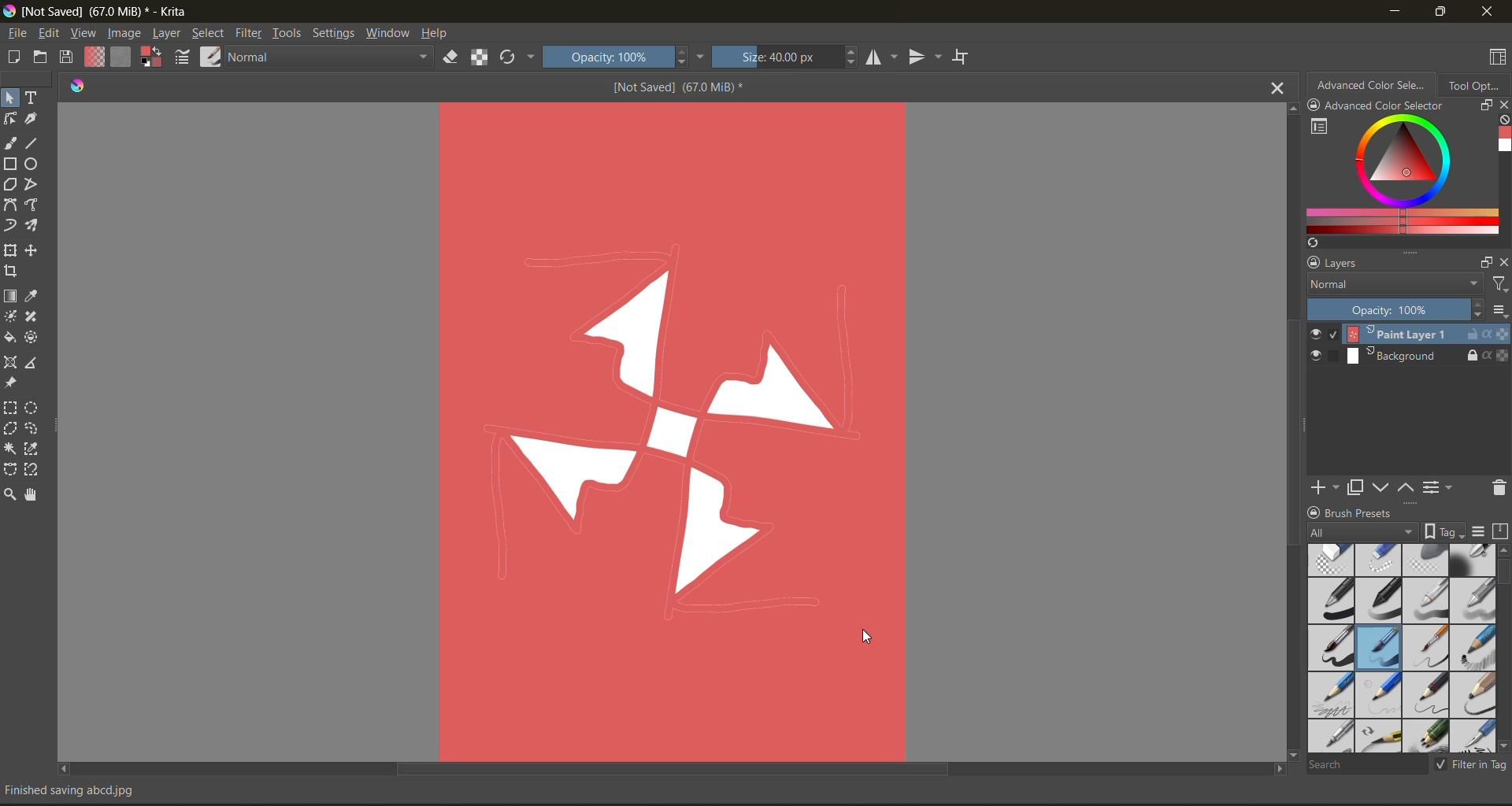 Image resolution: width=1512 pixels, height=806 pixels. I want to click on help, so click(439, 35).